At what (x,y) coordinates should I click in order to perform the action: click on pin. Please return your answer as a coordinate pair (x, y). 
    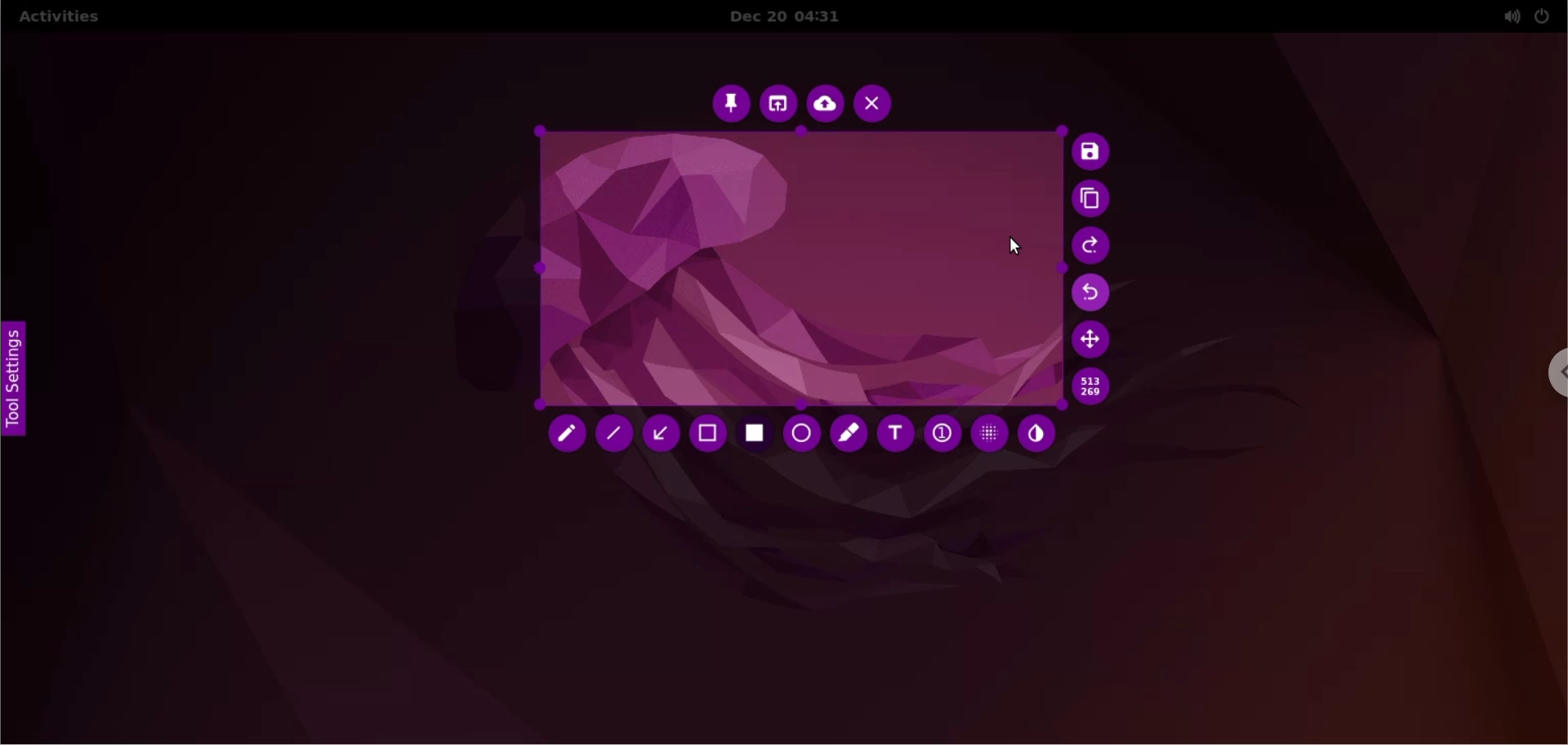
    Looking at the image, I should click on (731, 103).